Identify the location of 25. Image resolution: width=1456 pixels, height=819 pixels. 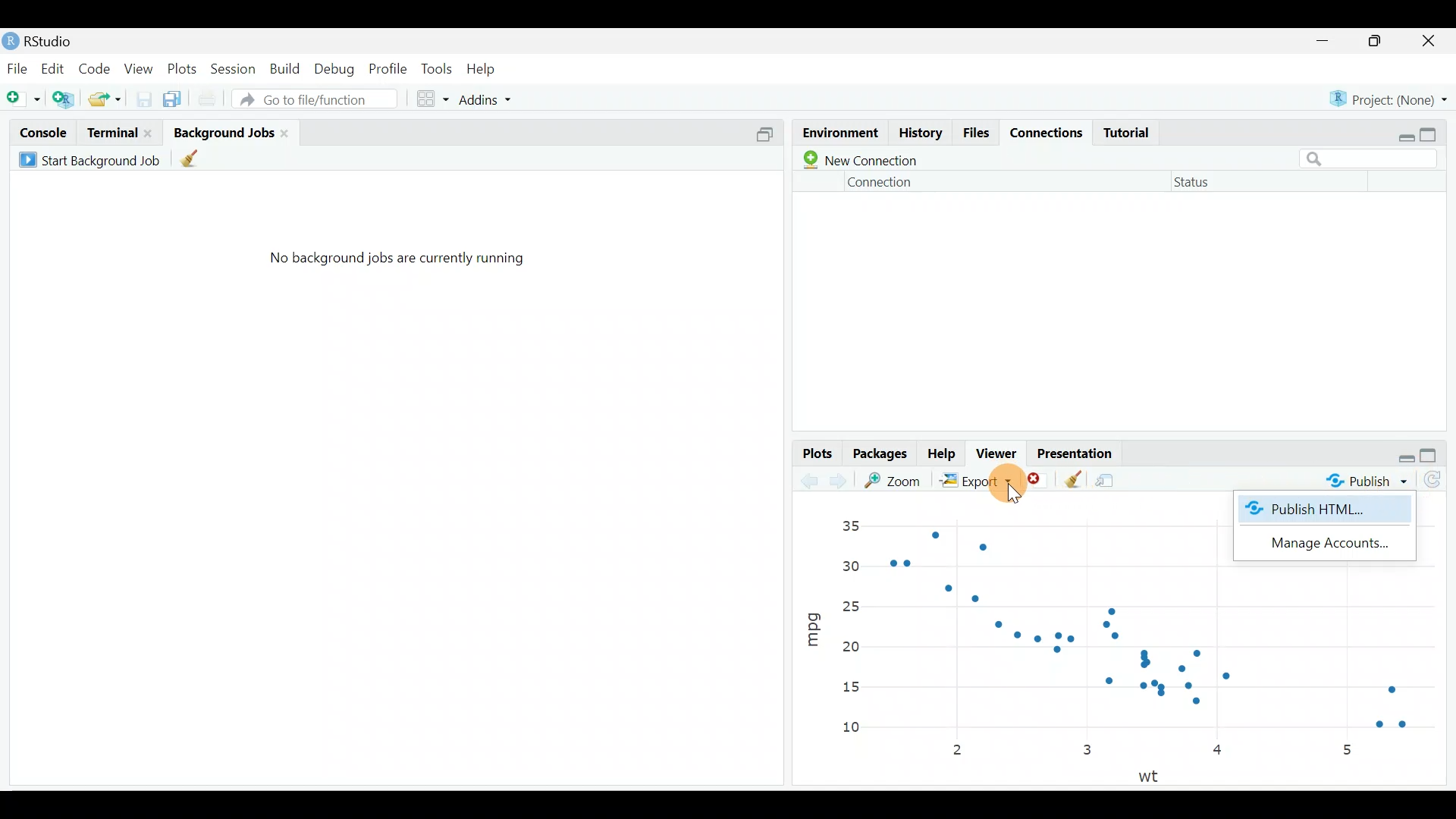
(856, 604).